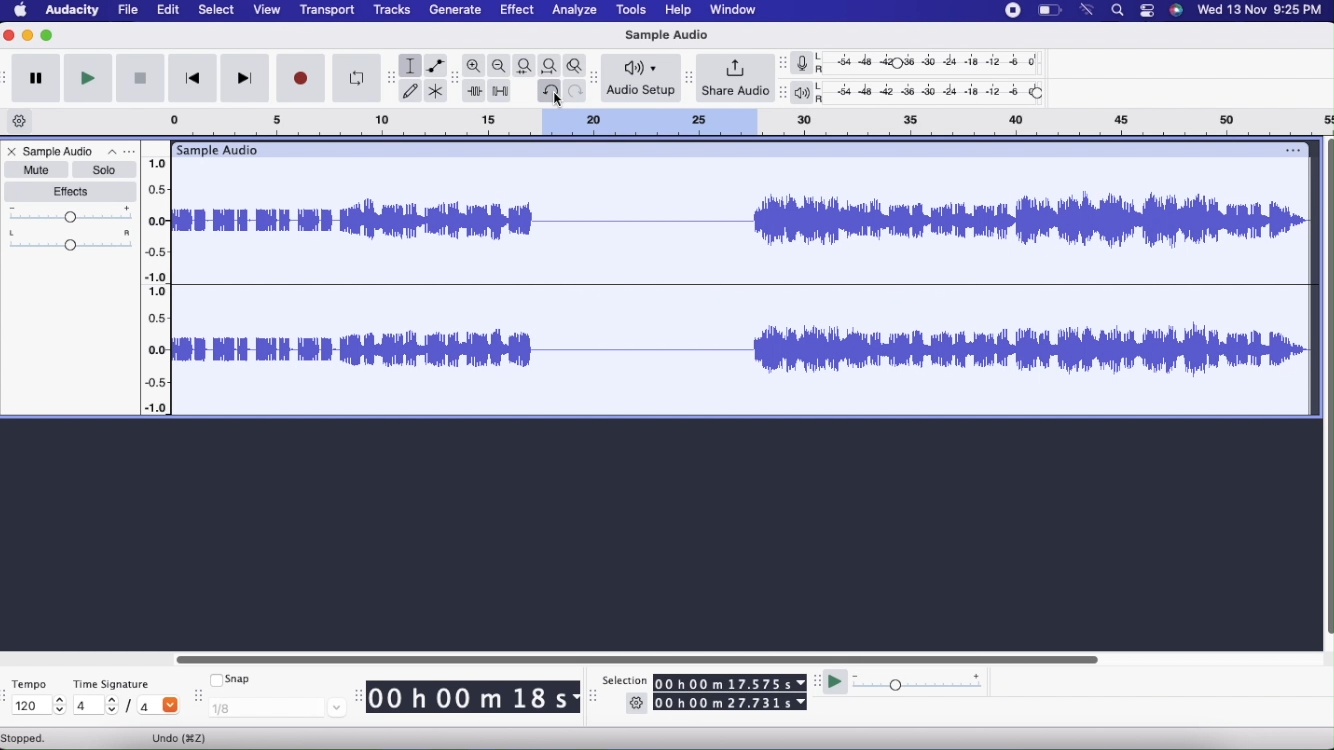 Image resolution: width=1334 pixels, height=750 pixels. I want to click on Select, so click(217, 10).